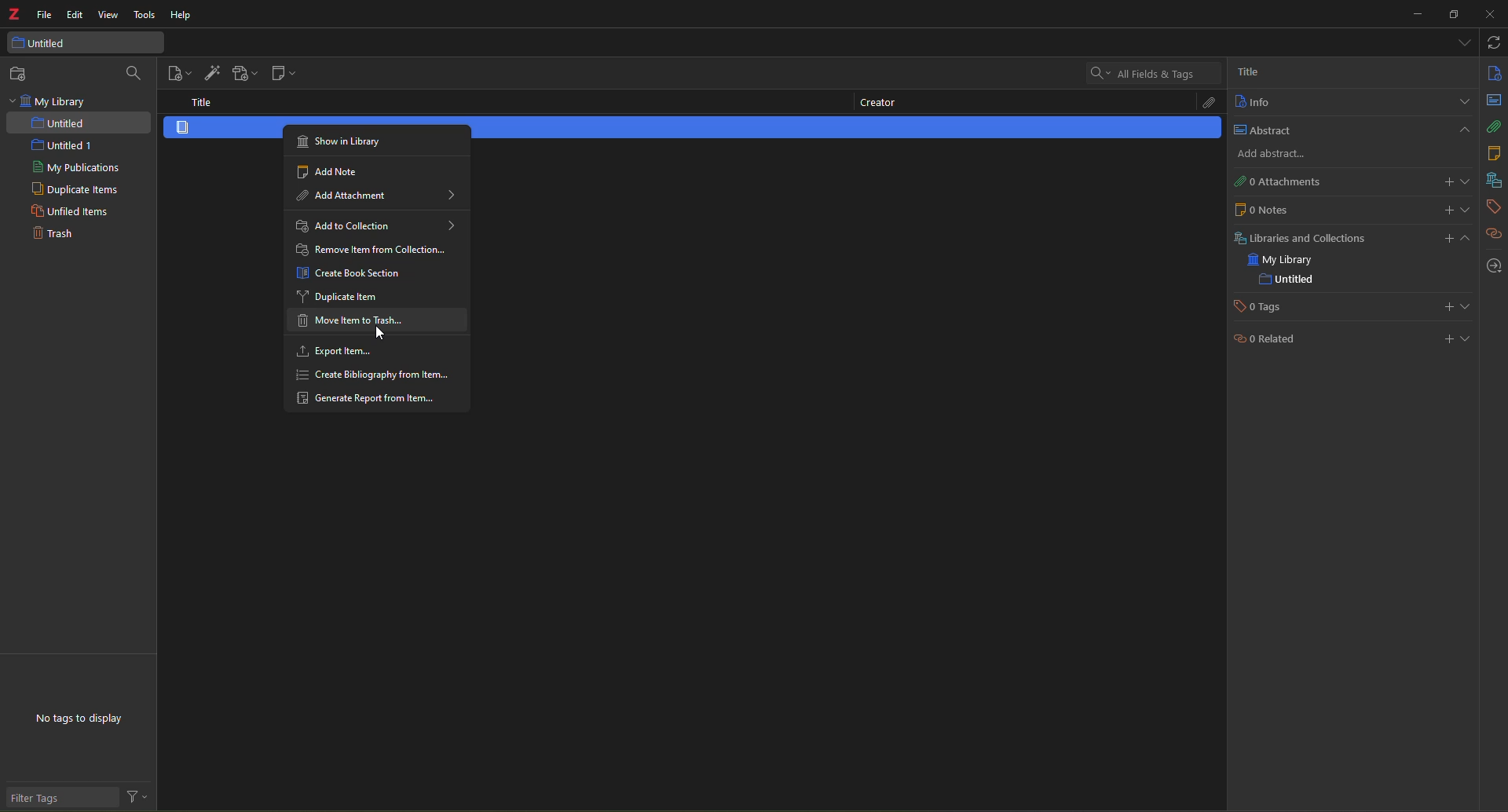 Image resolution: width=1508 pixels, height=812 pixels. Describe the element at coordinates (1247, 71) in the screenshot. I see `title` at that location.